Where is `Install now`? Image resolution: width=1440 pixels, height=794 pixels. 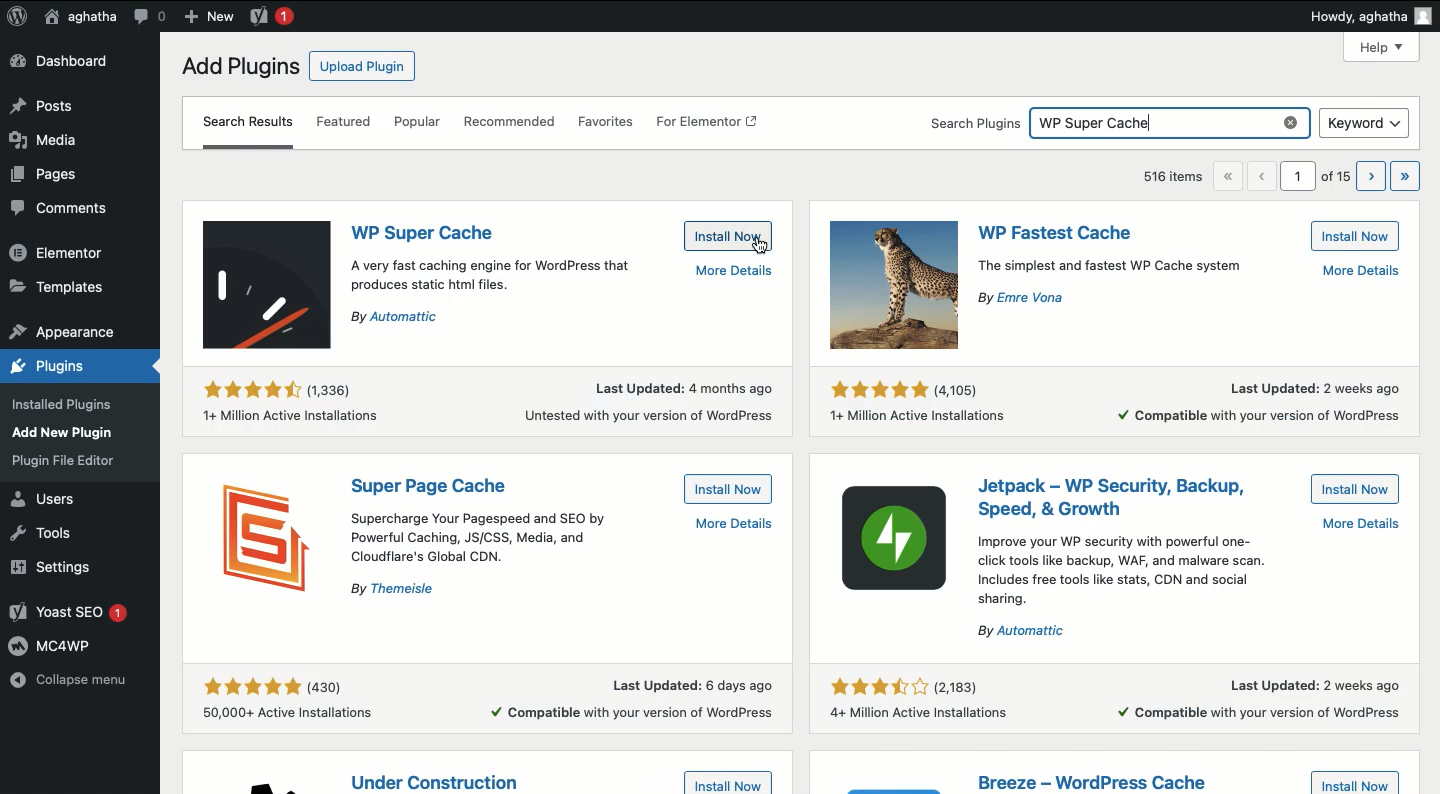
Install now is located at coordinates (727, 236).